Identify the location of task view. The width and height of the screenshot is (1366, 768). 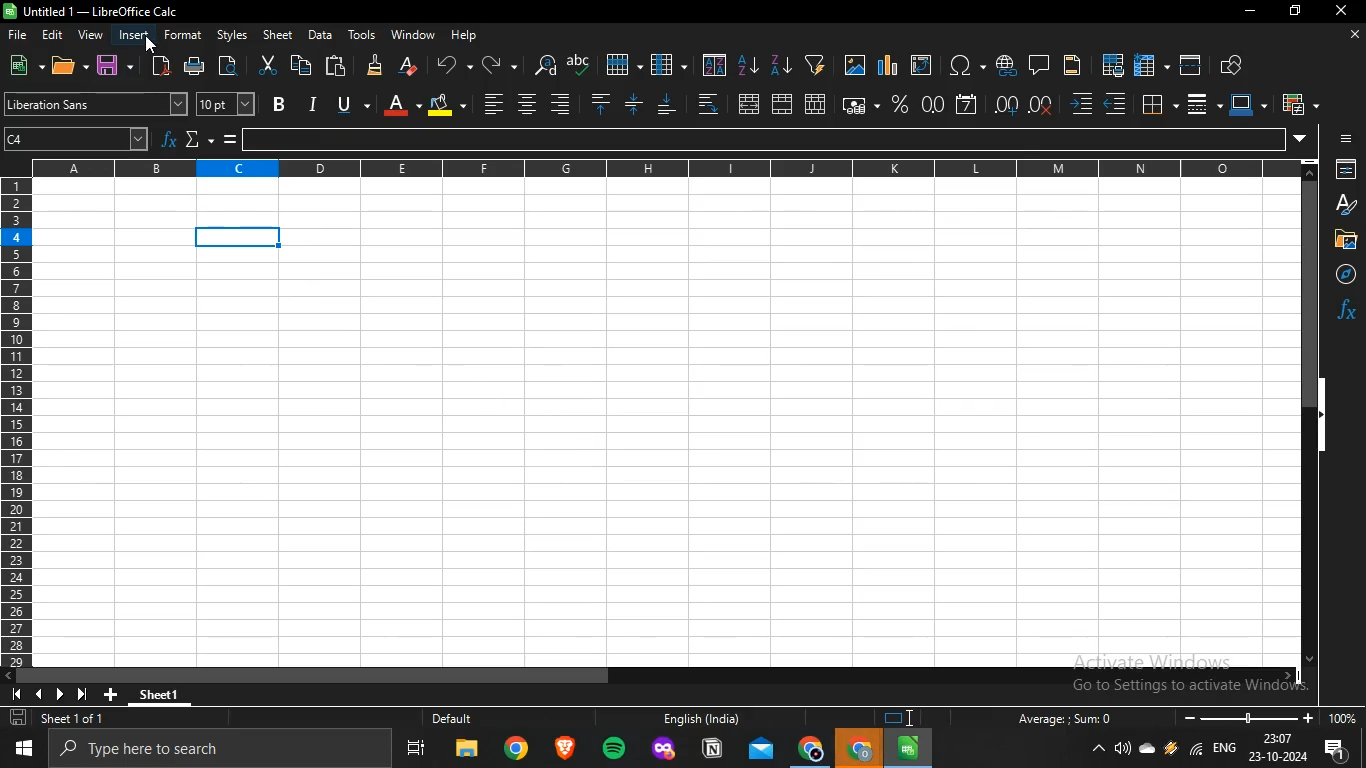
(417, 752).